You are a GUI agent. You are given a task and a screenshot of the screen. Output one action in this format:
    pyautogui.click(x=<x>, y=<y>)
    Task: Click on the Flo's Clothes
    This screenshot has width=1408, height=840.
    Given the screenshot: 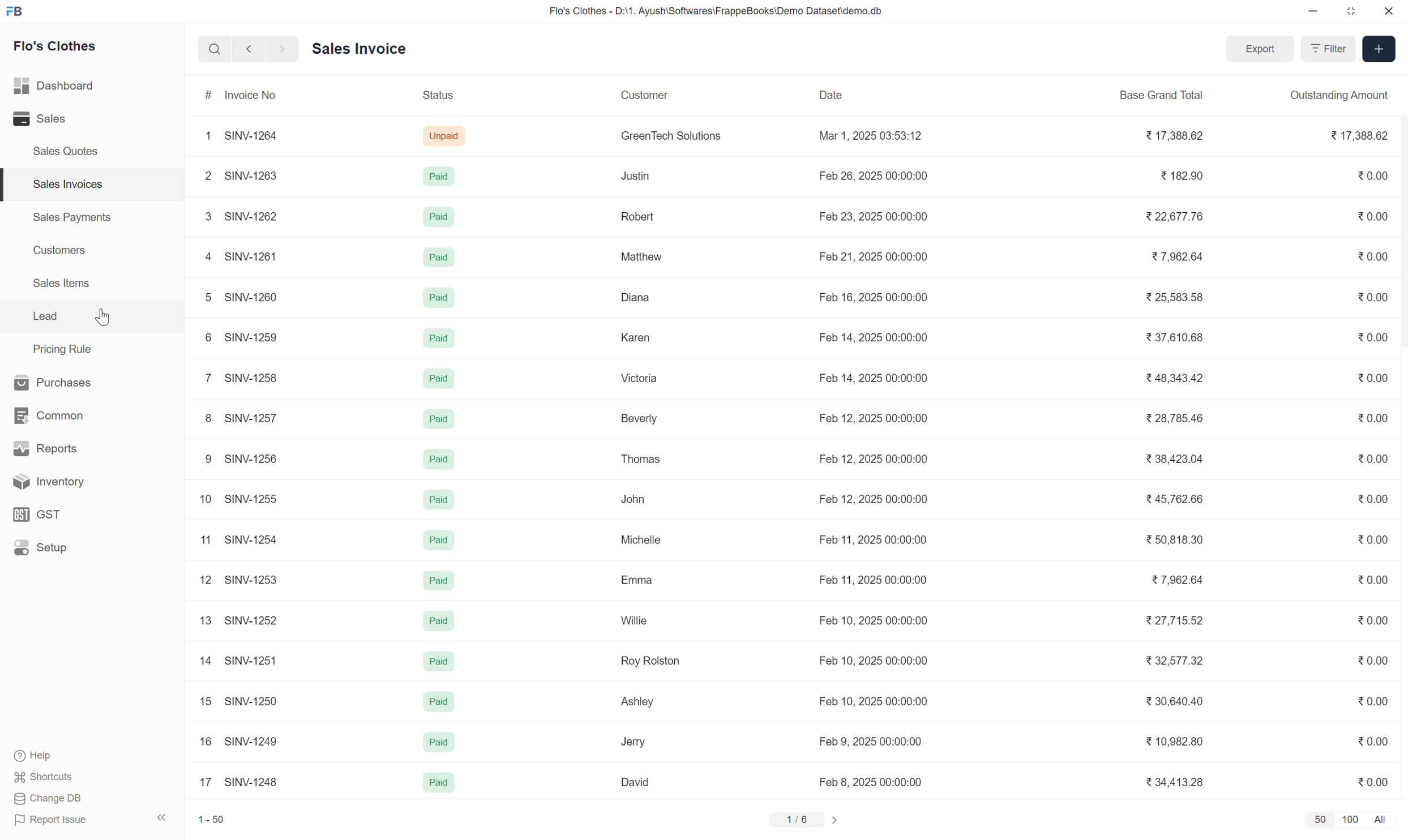 What is the action you would take?
    pyautogui.click(x=60, y=46)
    